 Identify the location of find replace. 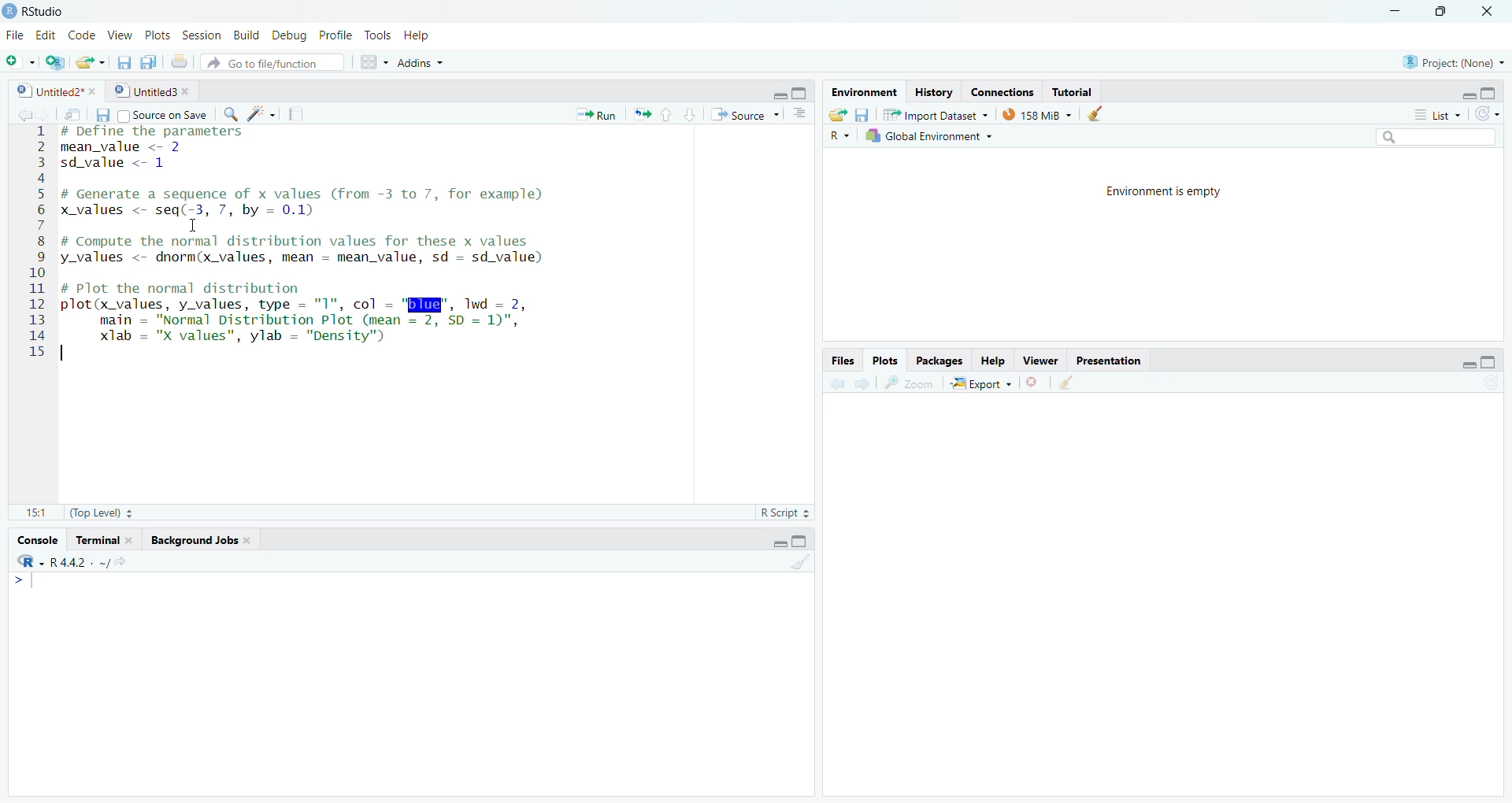
(229, 113).